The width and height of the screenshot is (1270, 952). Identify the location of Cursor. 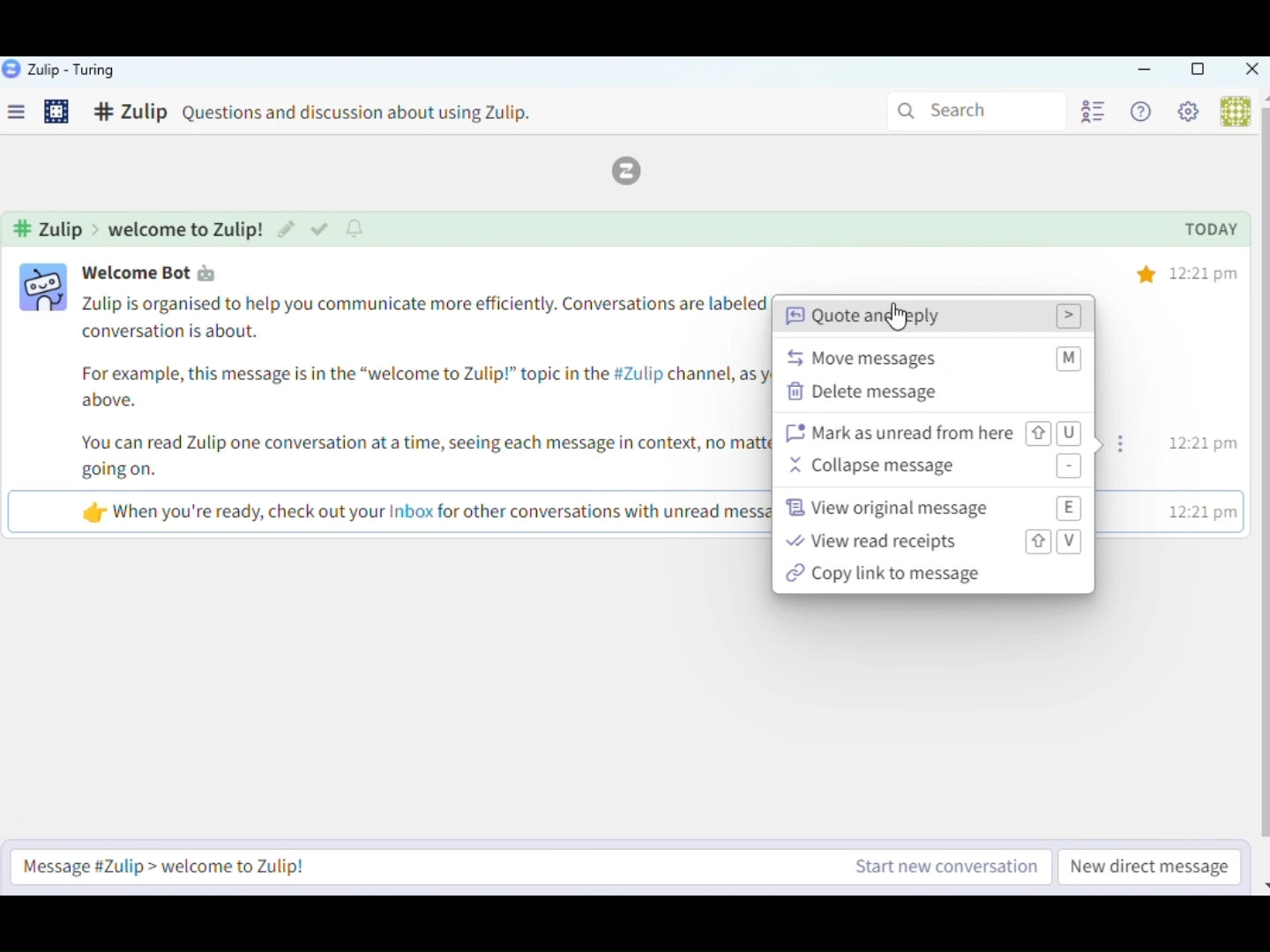
(893, 316).